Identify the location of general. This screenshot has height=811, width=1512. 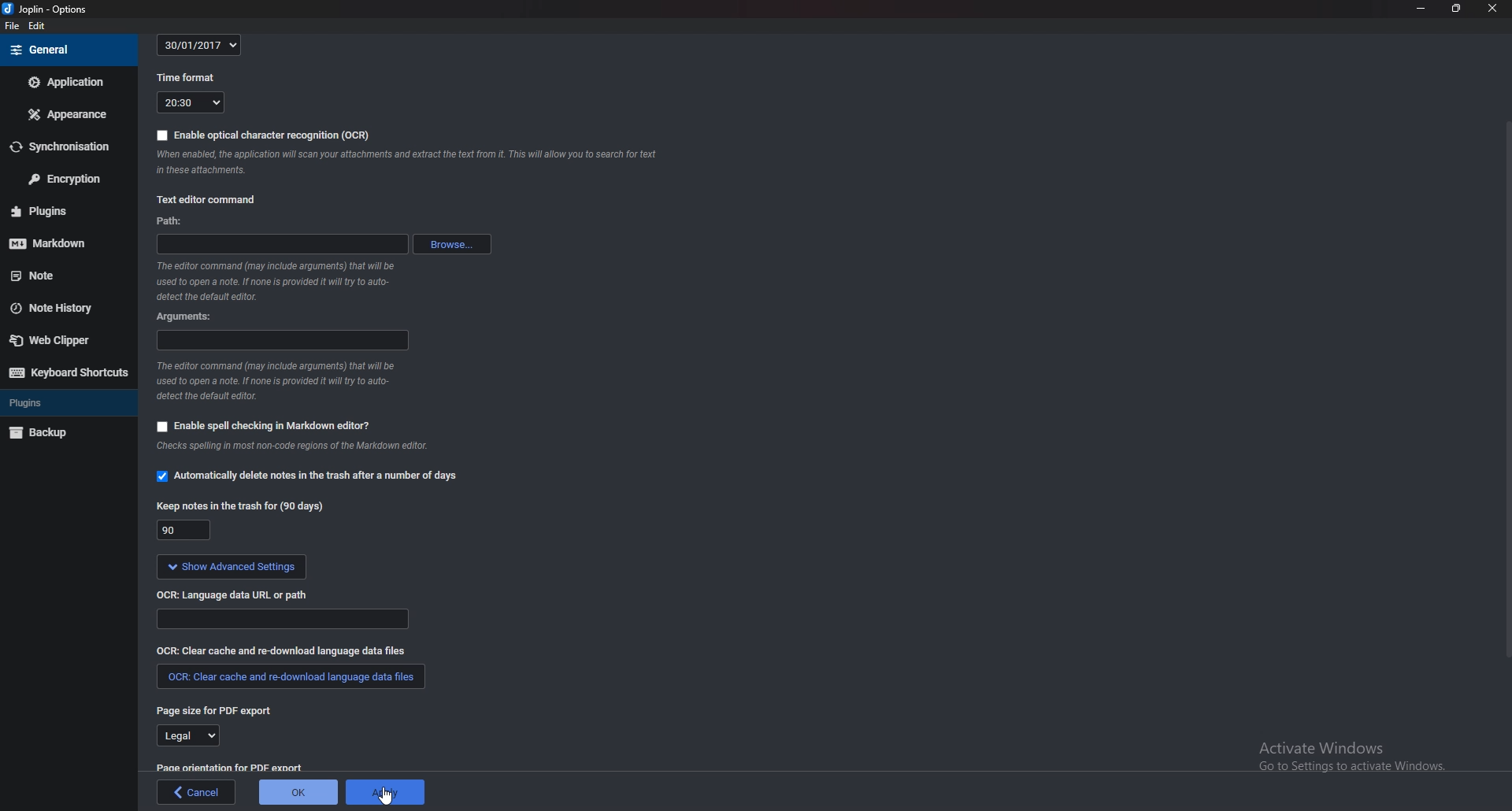
(68, 49).